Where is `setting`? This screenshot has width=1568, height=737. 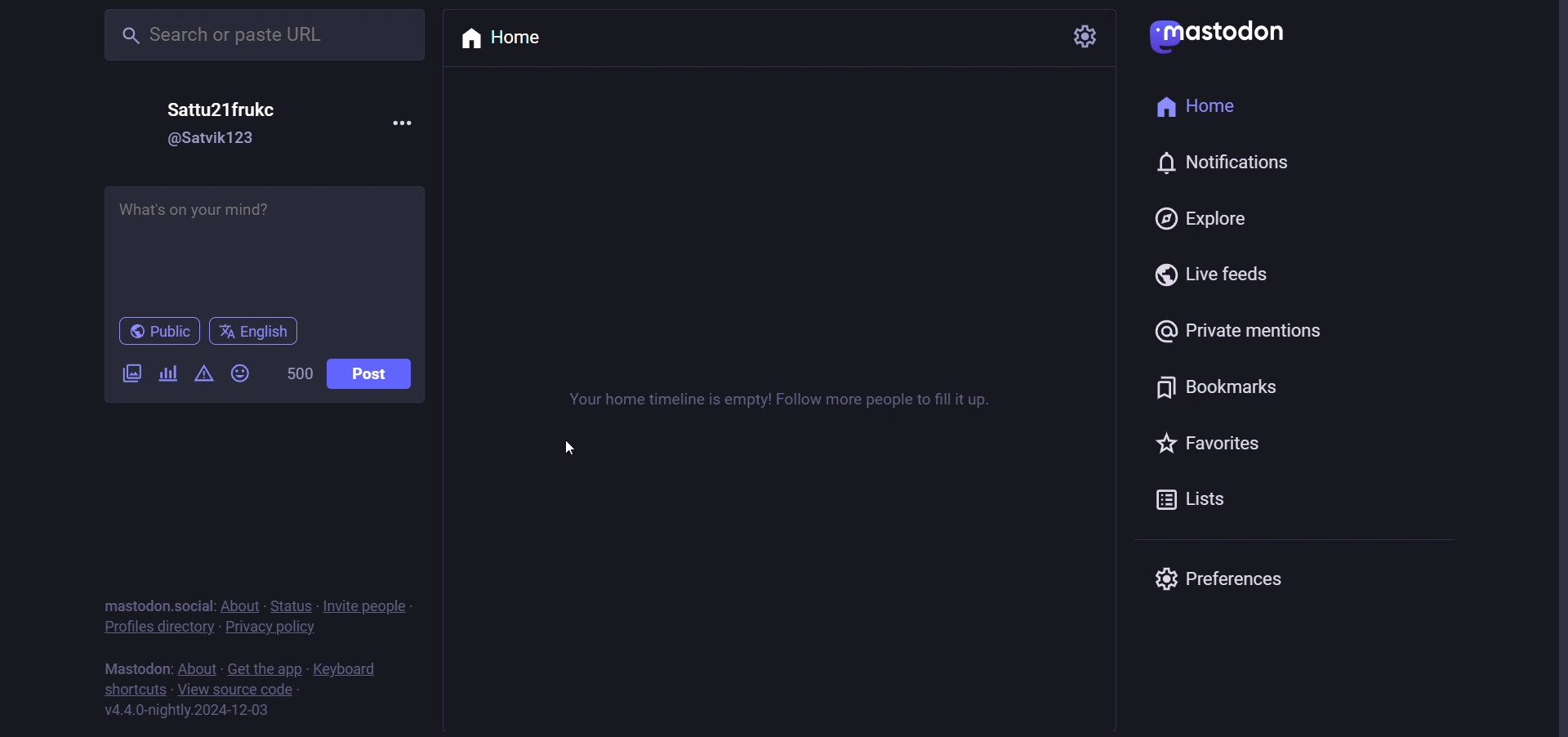 setting is located at coordinates (1077, 37).